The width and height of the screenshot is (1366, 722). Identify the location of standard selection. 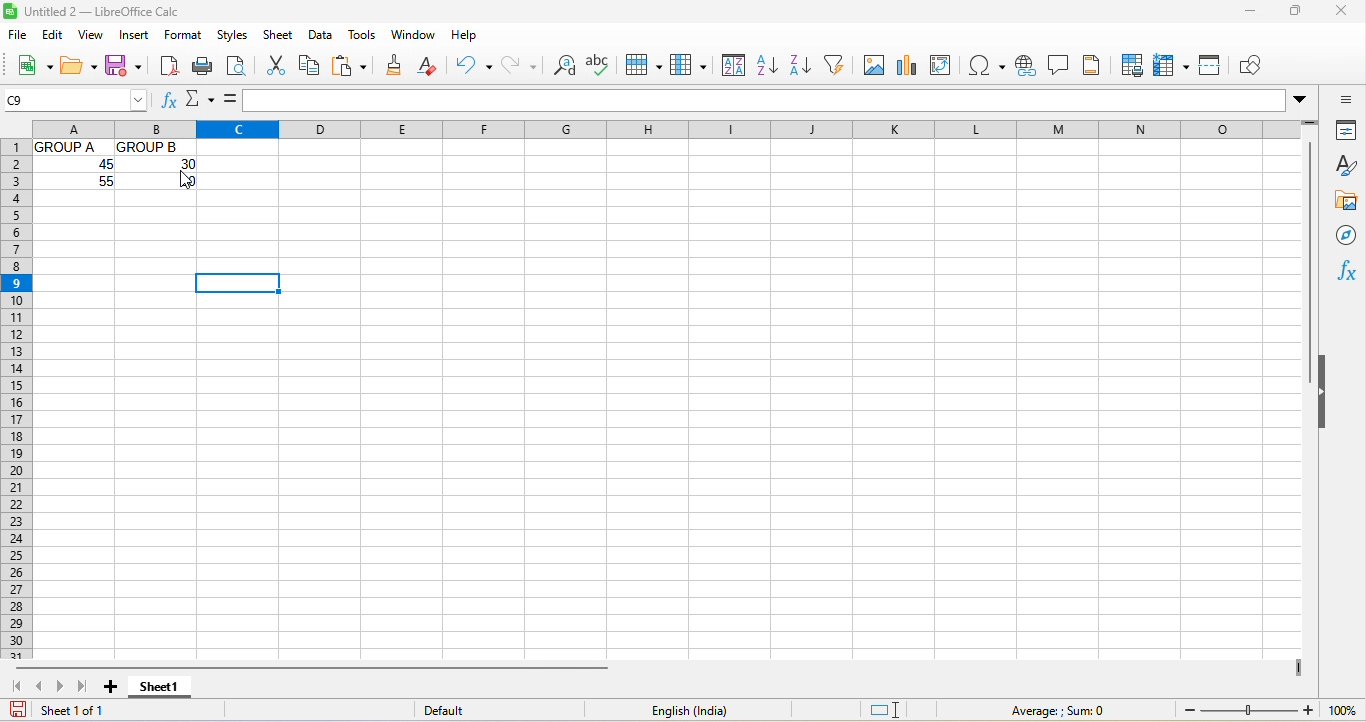
(882, 708).